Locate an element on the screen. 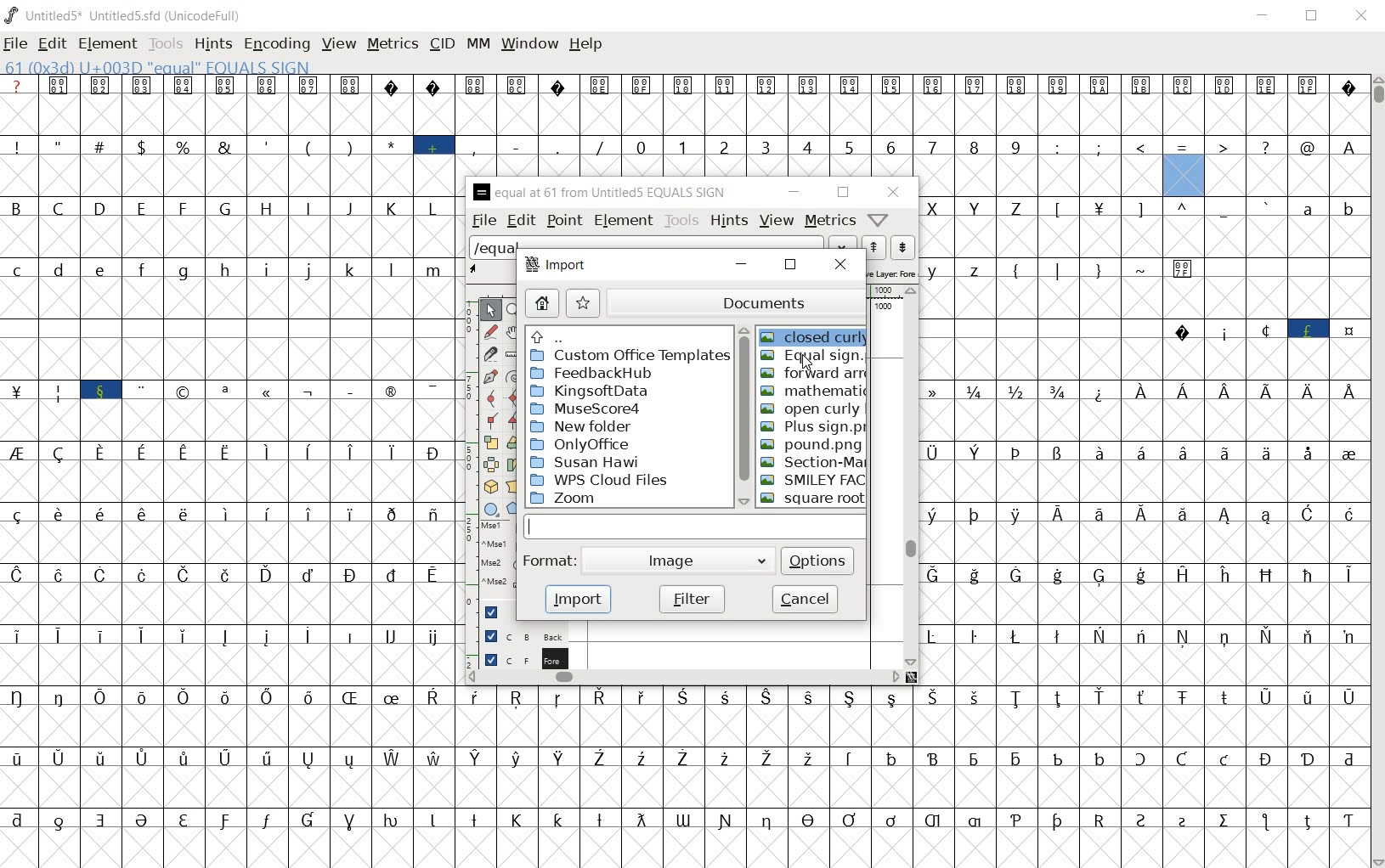 The image size is (1385, 868). custom office template is located at coordinates (629, 355).